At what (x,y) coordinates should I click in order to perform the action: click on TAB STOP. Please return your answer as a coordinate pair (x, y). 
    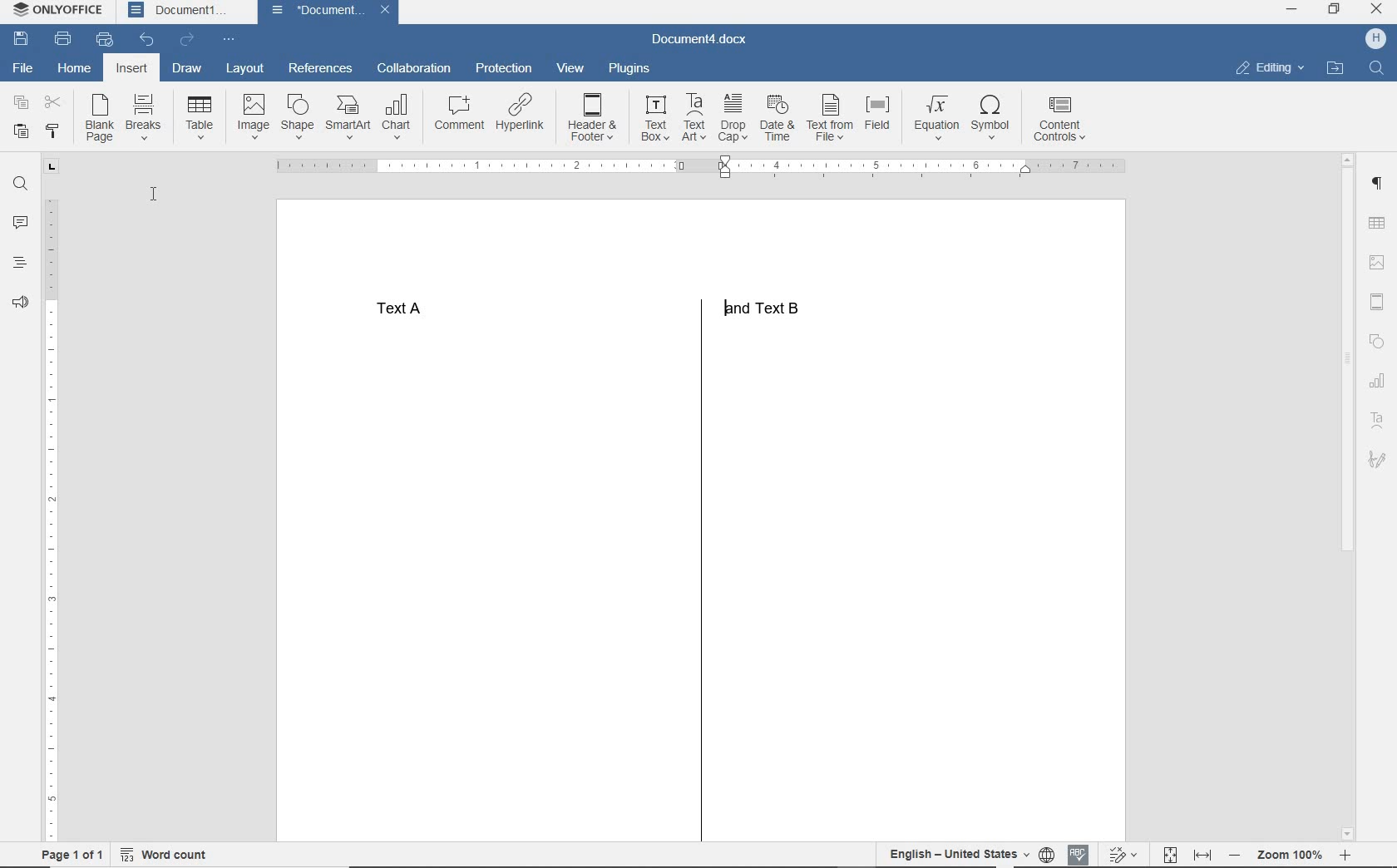
    Looking at the image, I should click on (51, 167).